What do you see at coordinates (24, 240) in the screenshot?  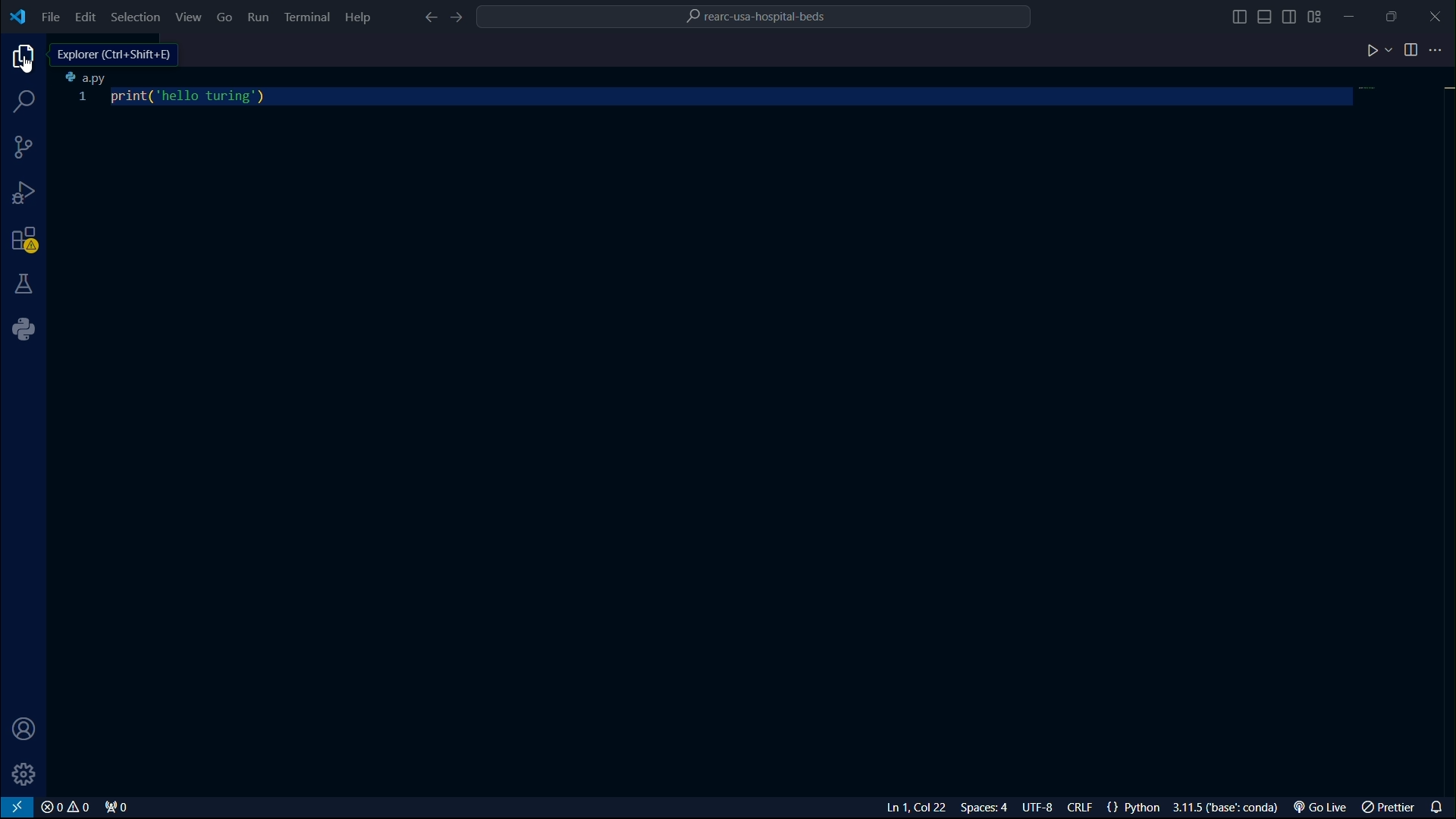 I see `extensions` at bounding box center [24, 240].